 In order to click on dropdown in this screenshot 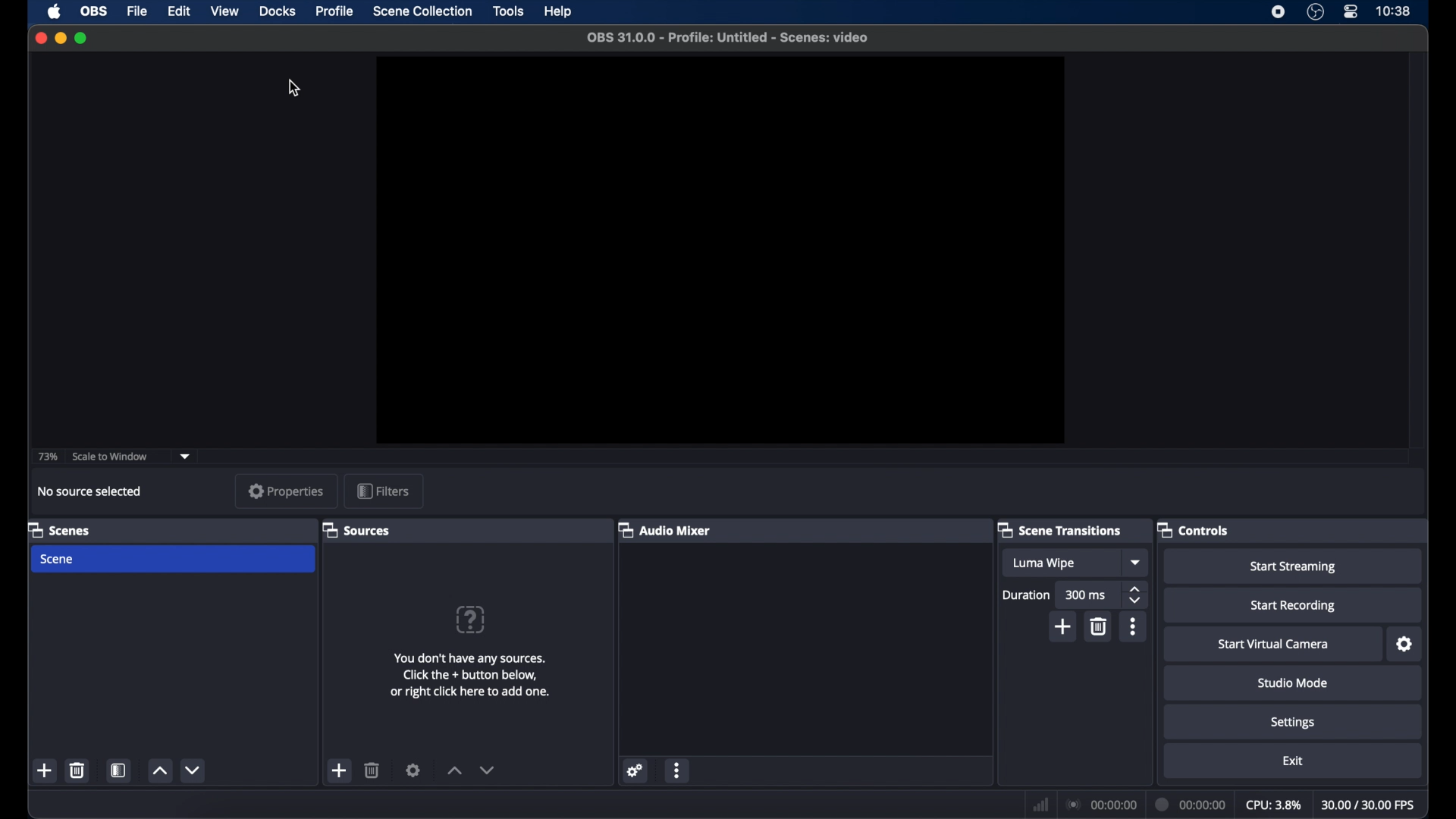, I will do `click(185, 456)`.